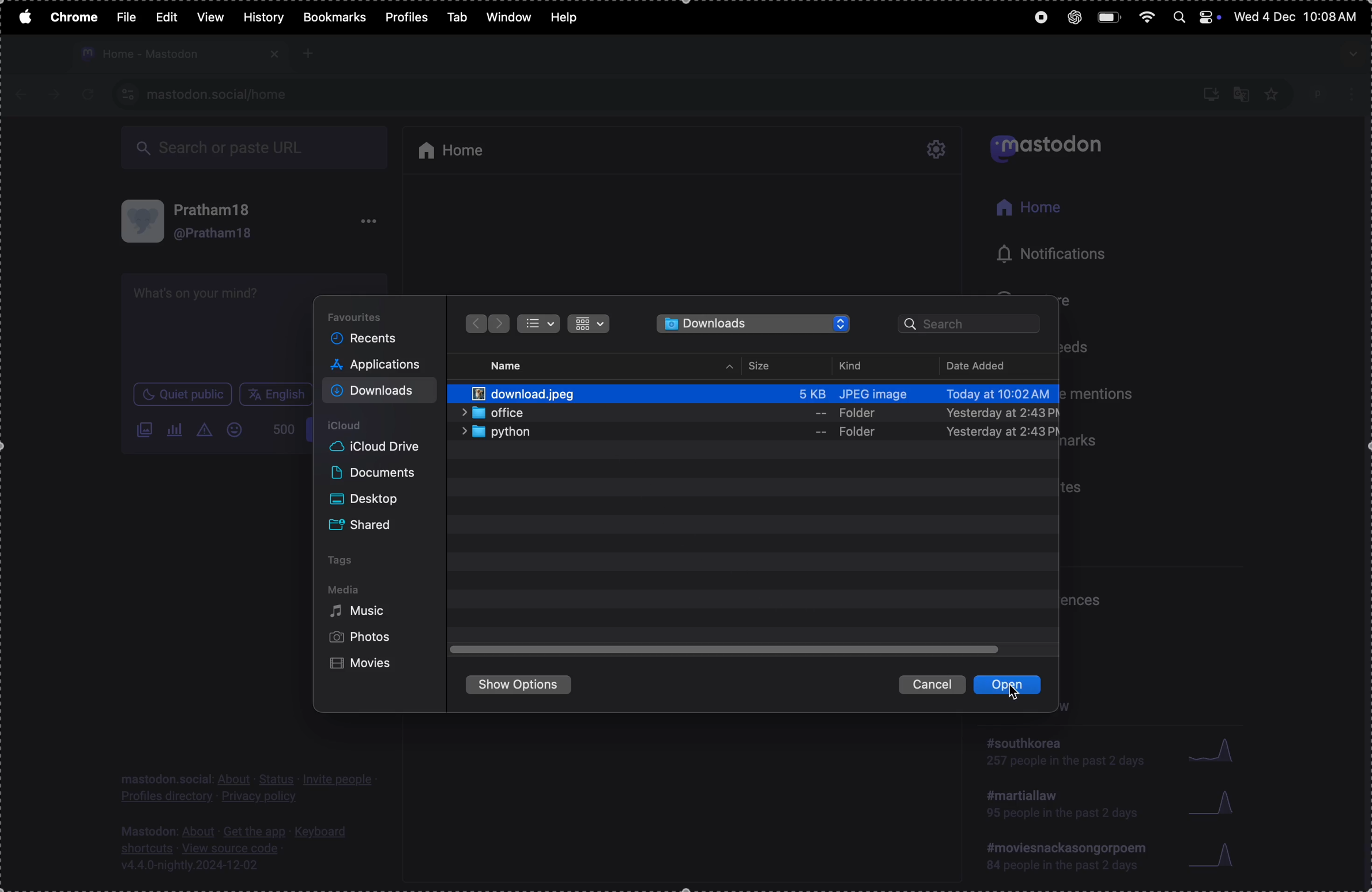 This screenshot has width=1372, height=892. I want to click on setting, so click(938, 150).